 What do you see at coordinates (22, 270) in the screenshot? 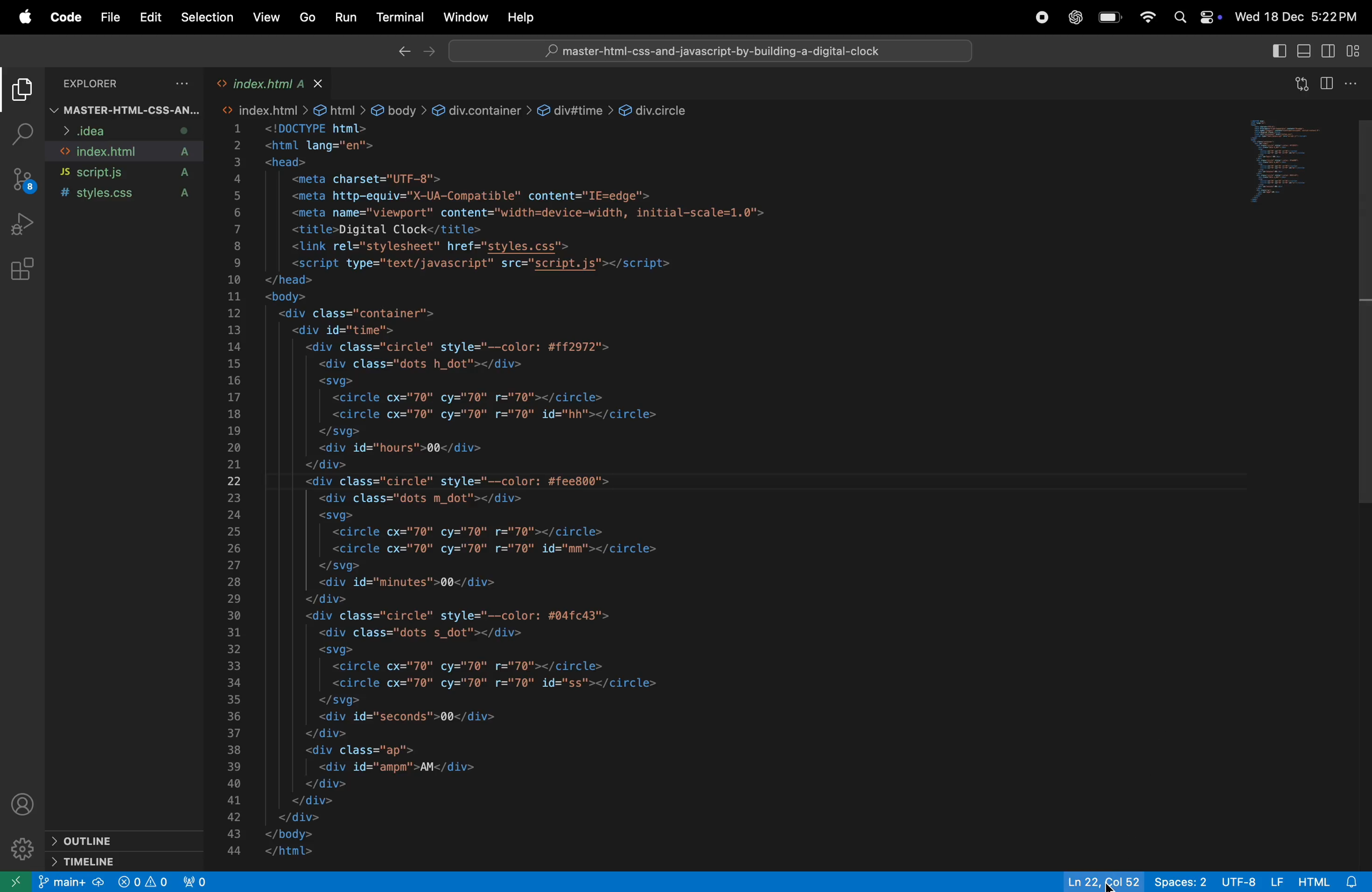
I see `extensions` at bounding box center [22, 270].